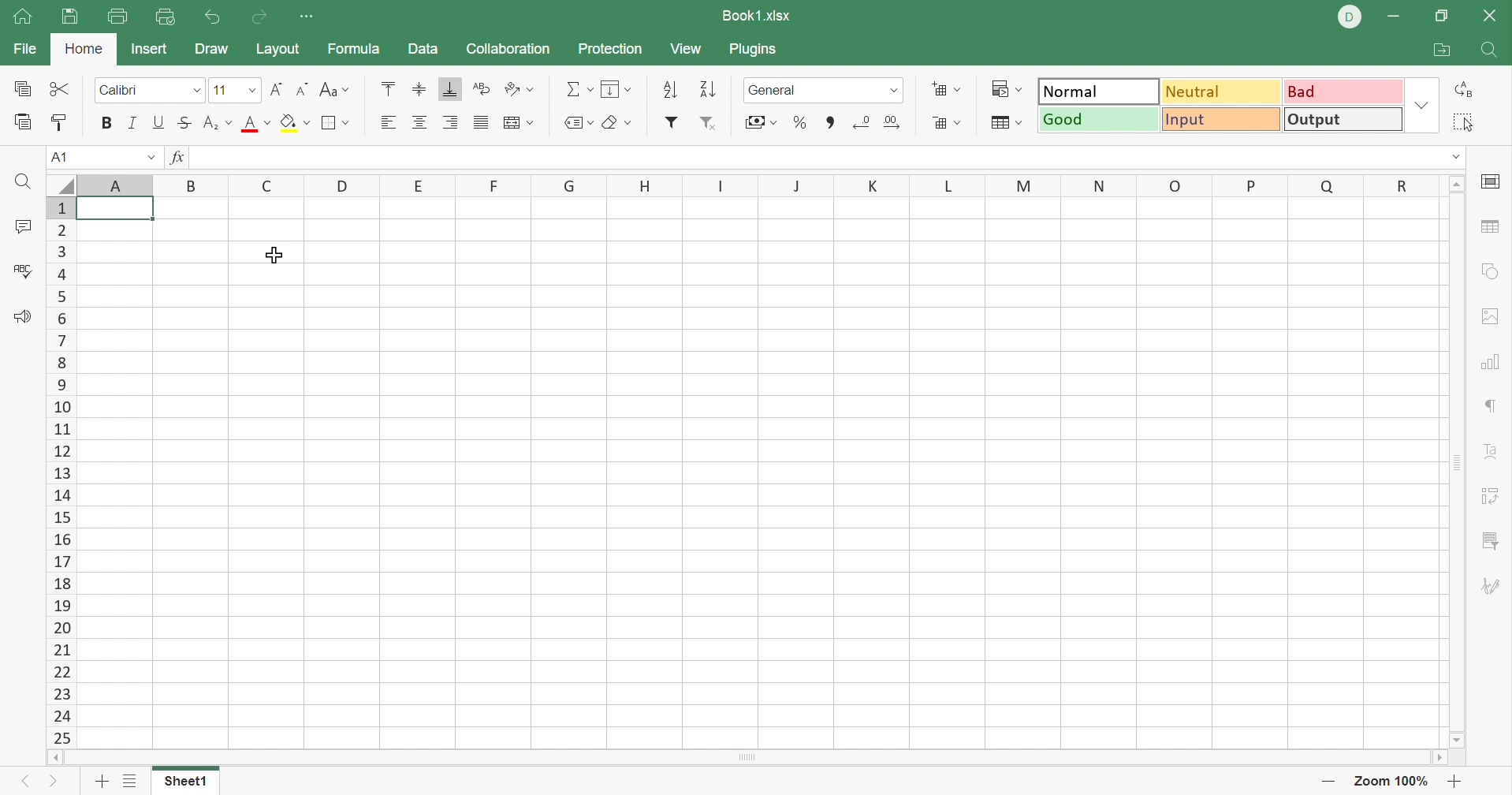  Describe the element at coordinates (55, 758) in the screenshot. I see `Scroll Left` at that location.